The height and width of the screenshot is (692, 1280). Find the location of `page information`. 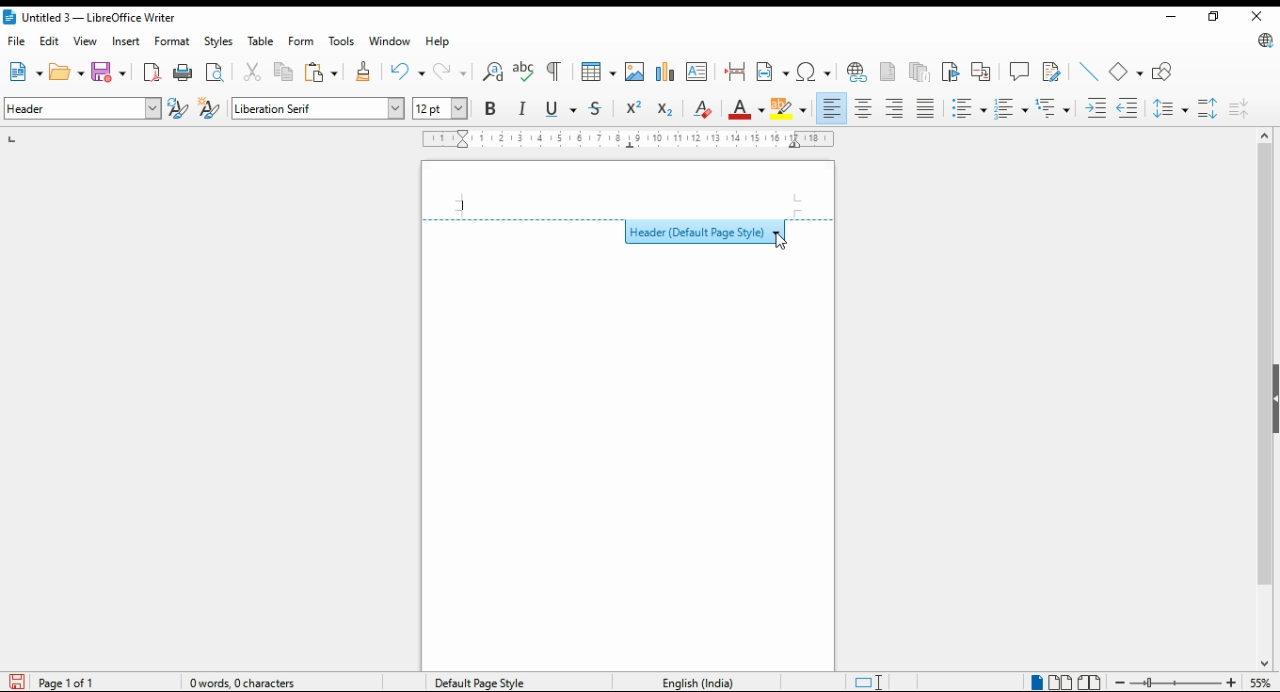

page information is located at coordinates (62, 682).